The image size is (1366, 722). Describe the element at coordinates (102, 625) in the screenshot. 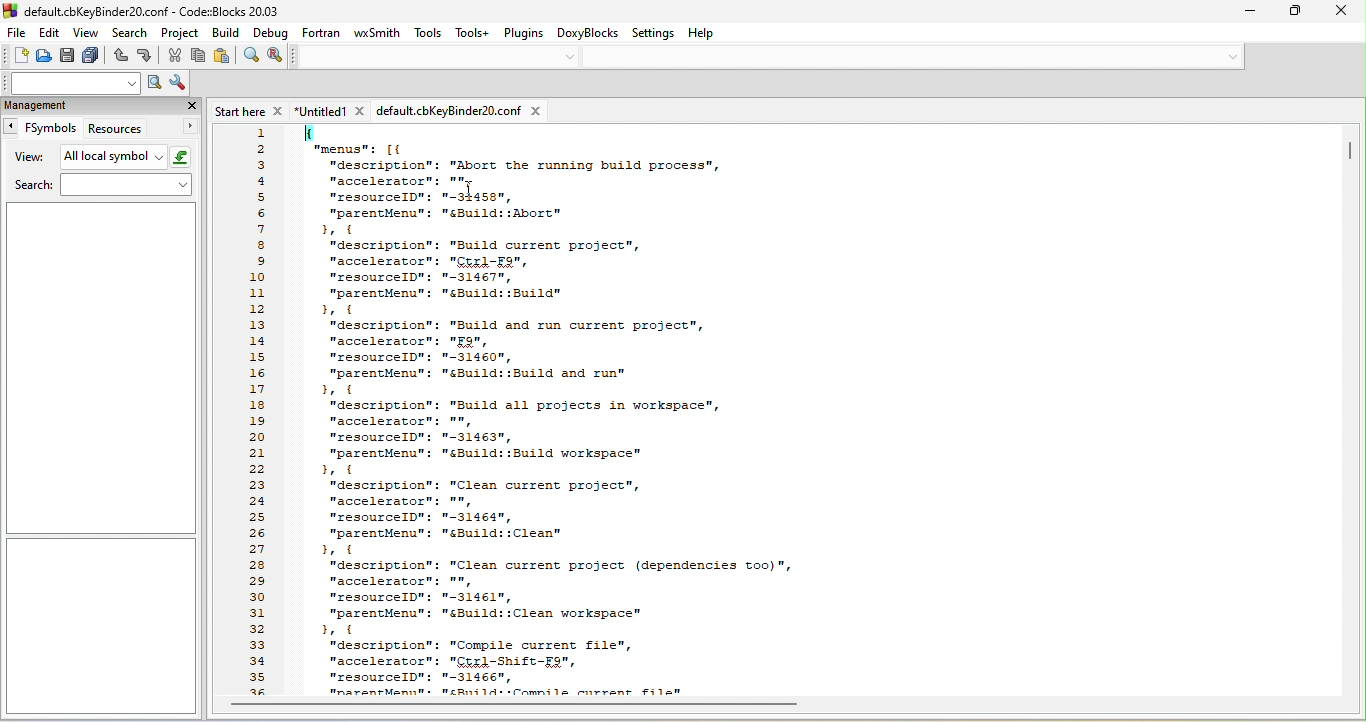

I see `sidebar` at that location.